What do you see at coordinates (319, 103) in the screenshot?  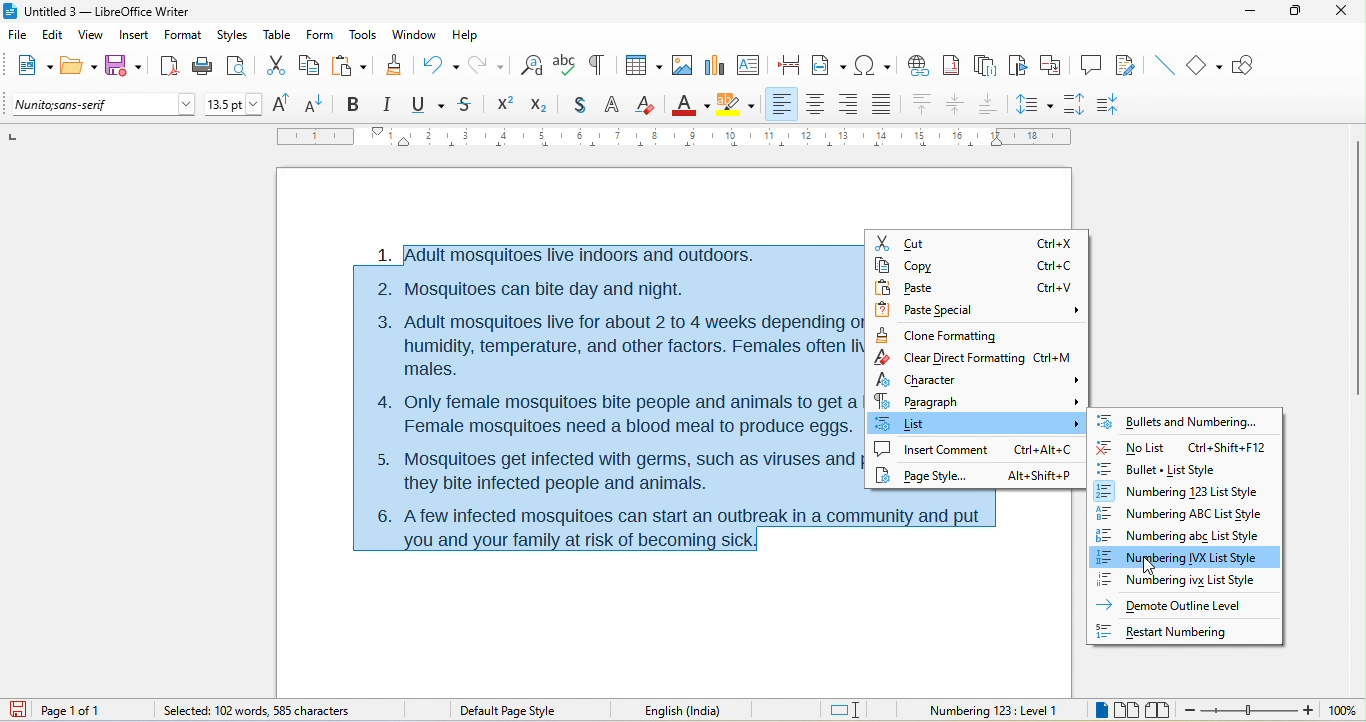 I see `decrease size` at bounding box center [319, 103].